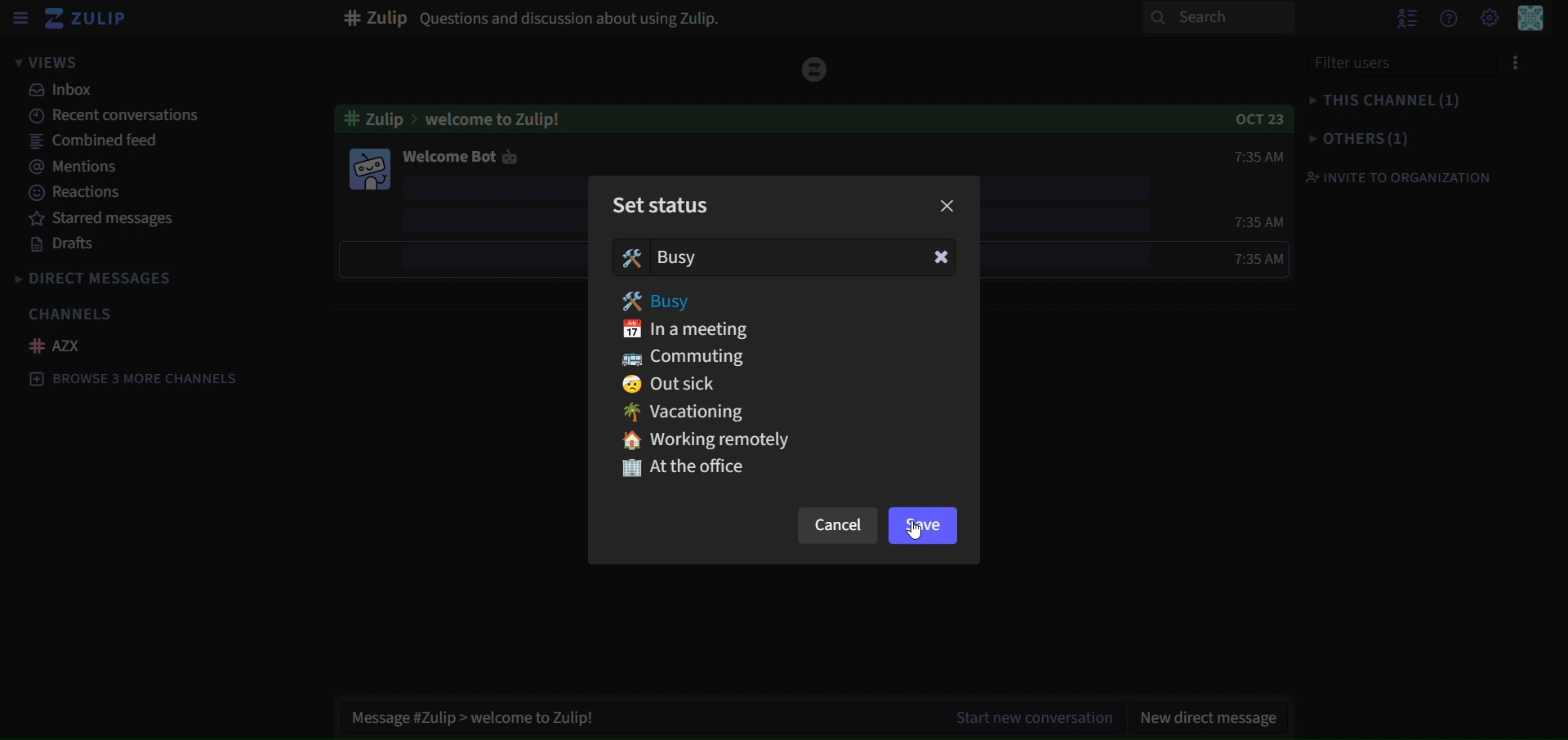 Image resolution: width=1568 pixels, height=740 pixels. I want to click on vacationing, so click(687, 413).